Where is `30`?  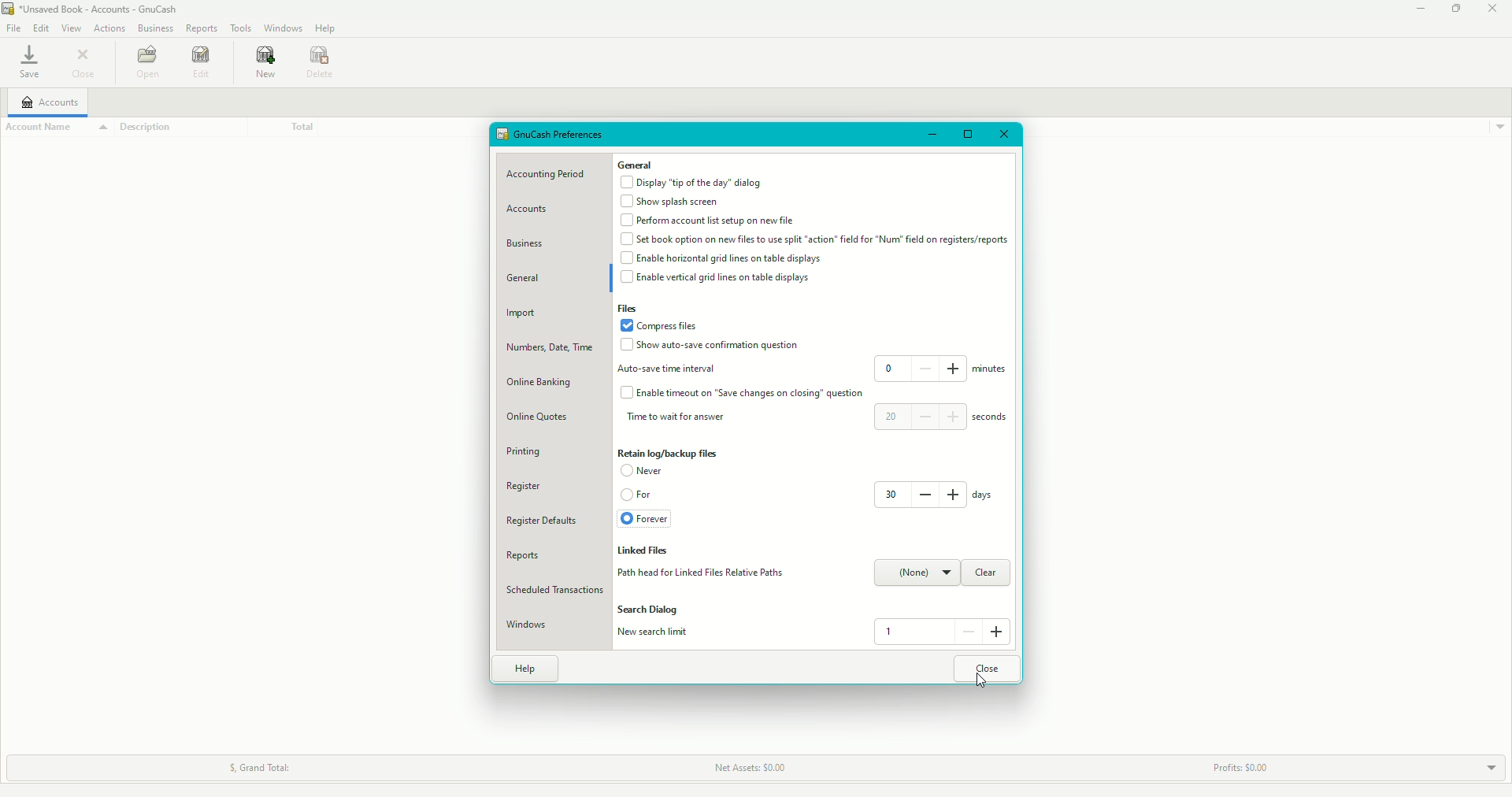 30 is located at coordinates (918, 494).